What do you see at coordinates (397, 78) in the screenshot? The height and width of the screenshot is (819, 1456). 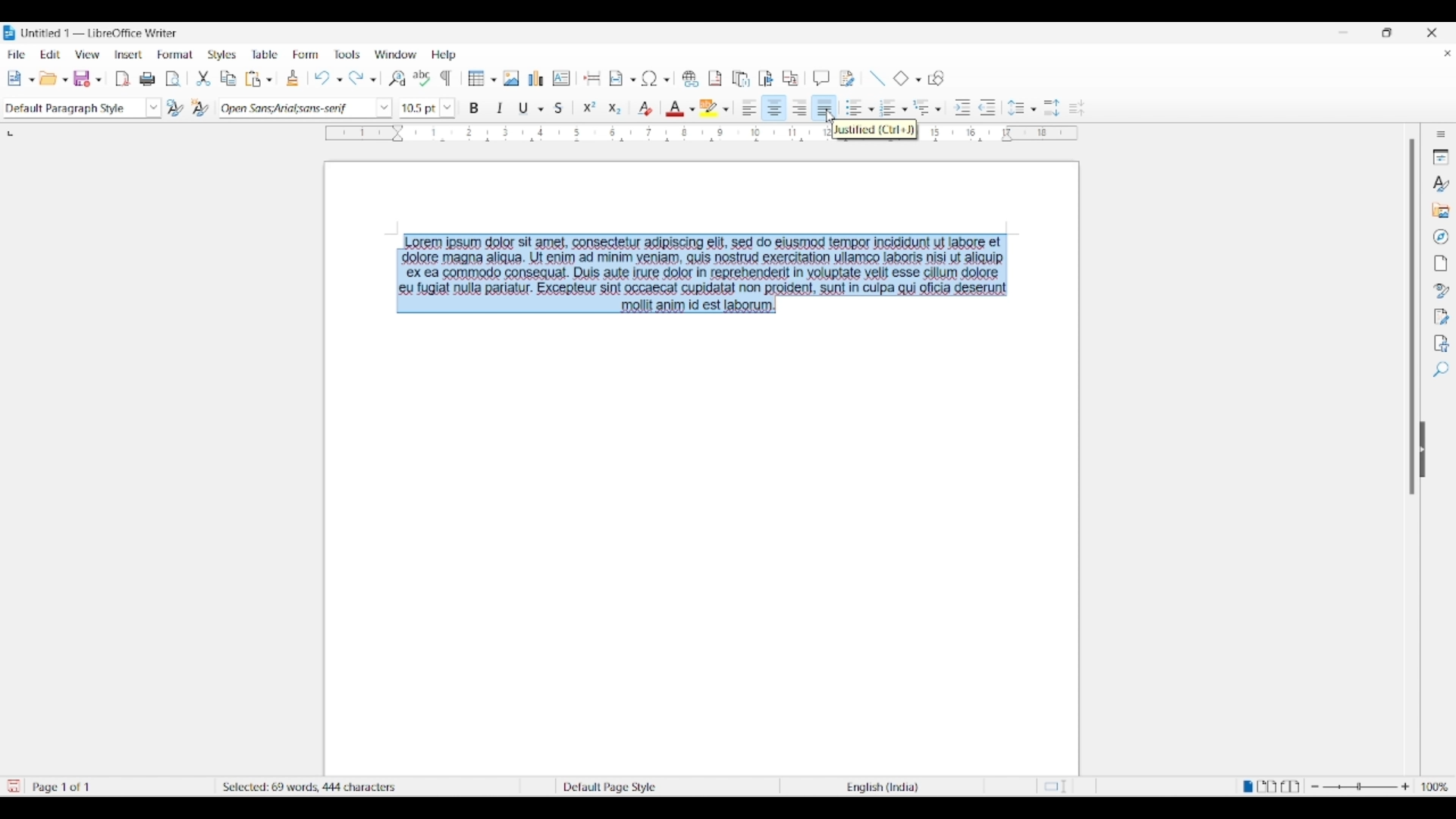 I see `Find and replace` at bounding box center [397, 78].